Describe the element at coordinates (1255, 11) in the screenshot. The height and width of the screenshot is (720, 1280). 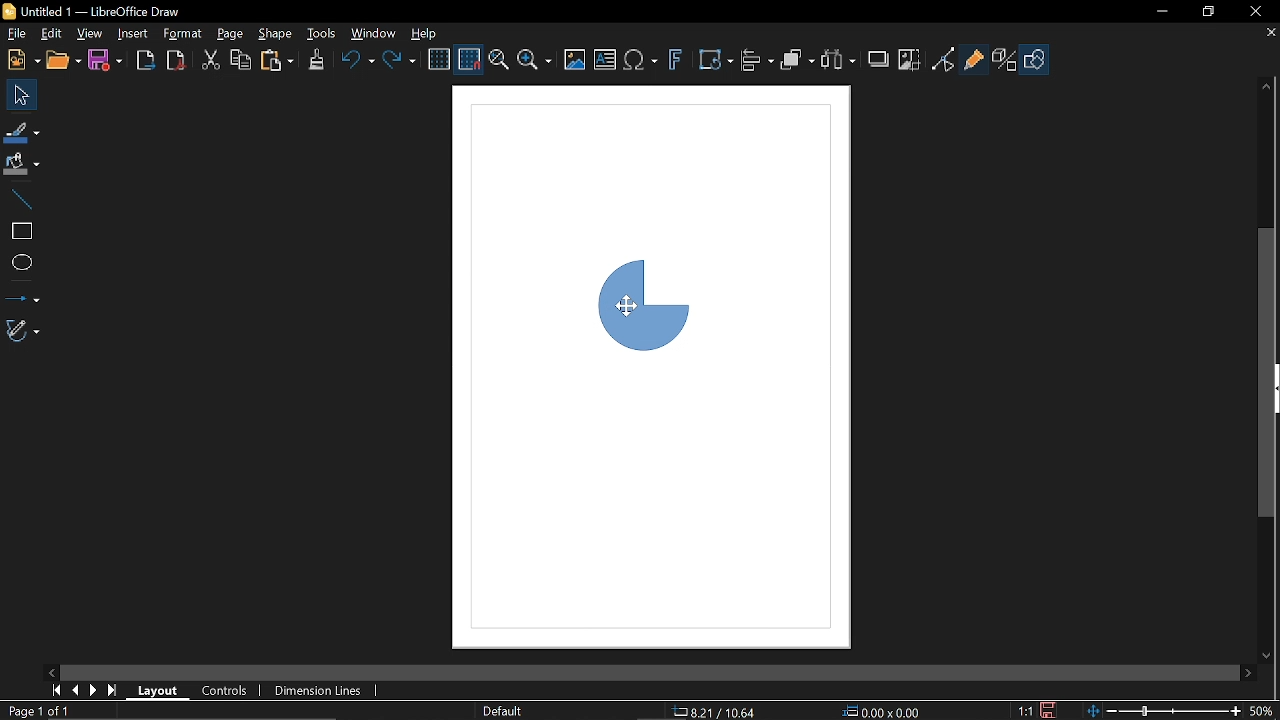
I see `Close` at that location.